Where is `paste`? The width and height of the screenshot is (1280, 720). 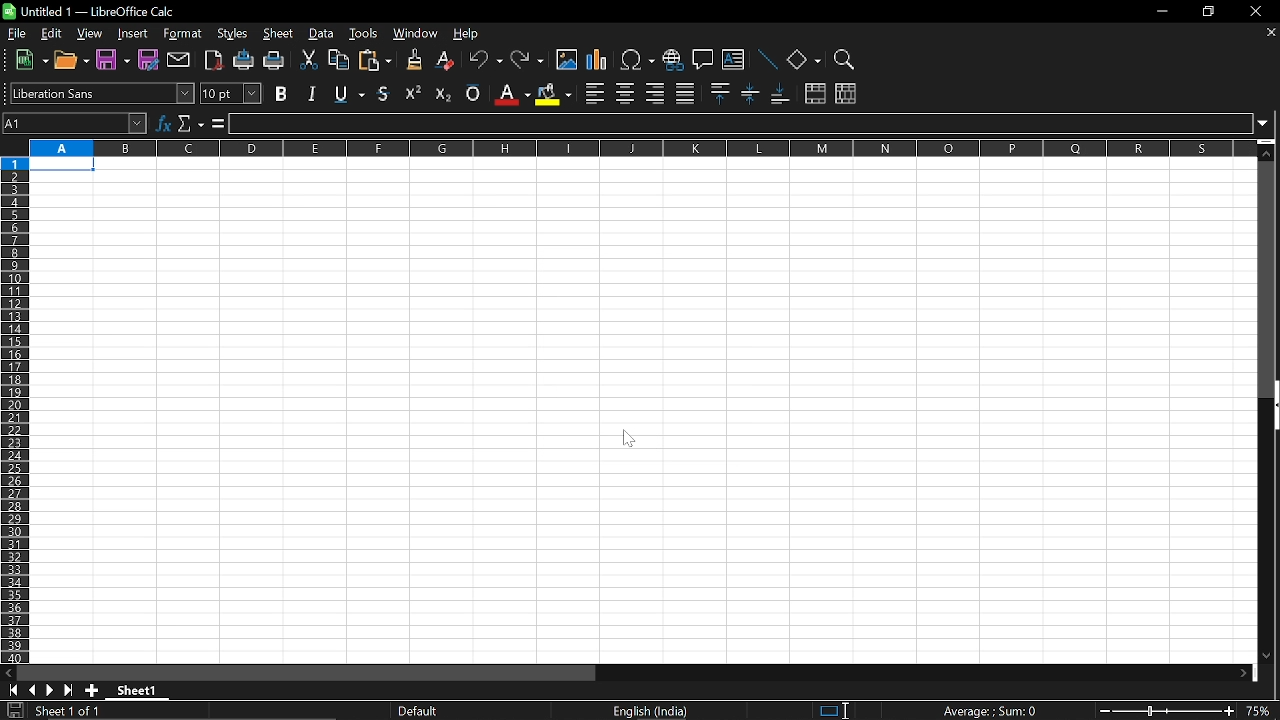 paste is located at coordinates (374, 62).